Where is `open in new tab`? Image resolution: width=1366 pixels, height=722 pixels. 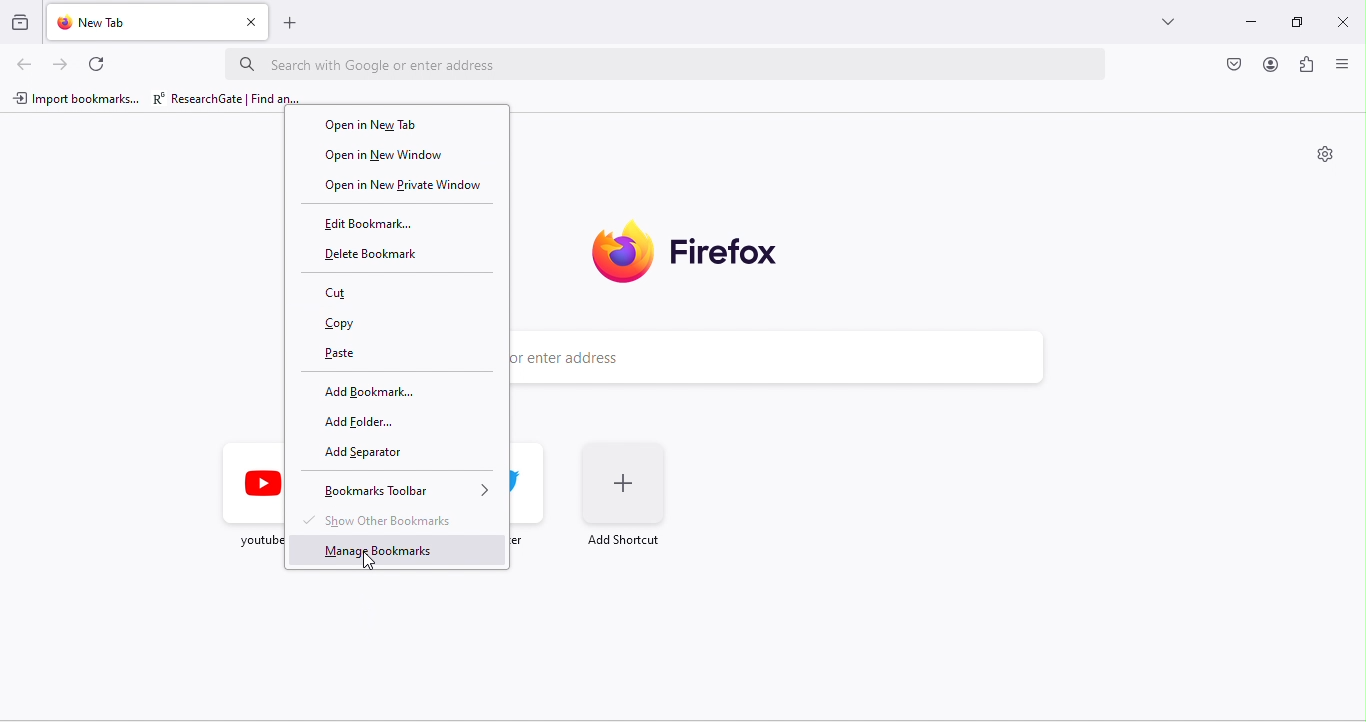
open in new tab is located at coordinates (375, 126).